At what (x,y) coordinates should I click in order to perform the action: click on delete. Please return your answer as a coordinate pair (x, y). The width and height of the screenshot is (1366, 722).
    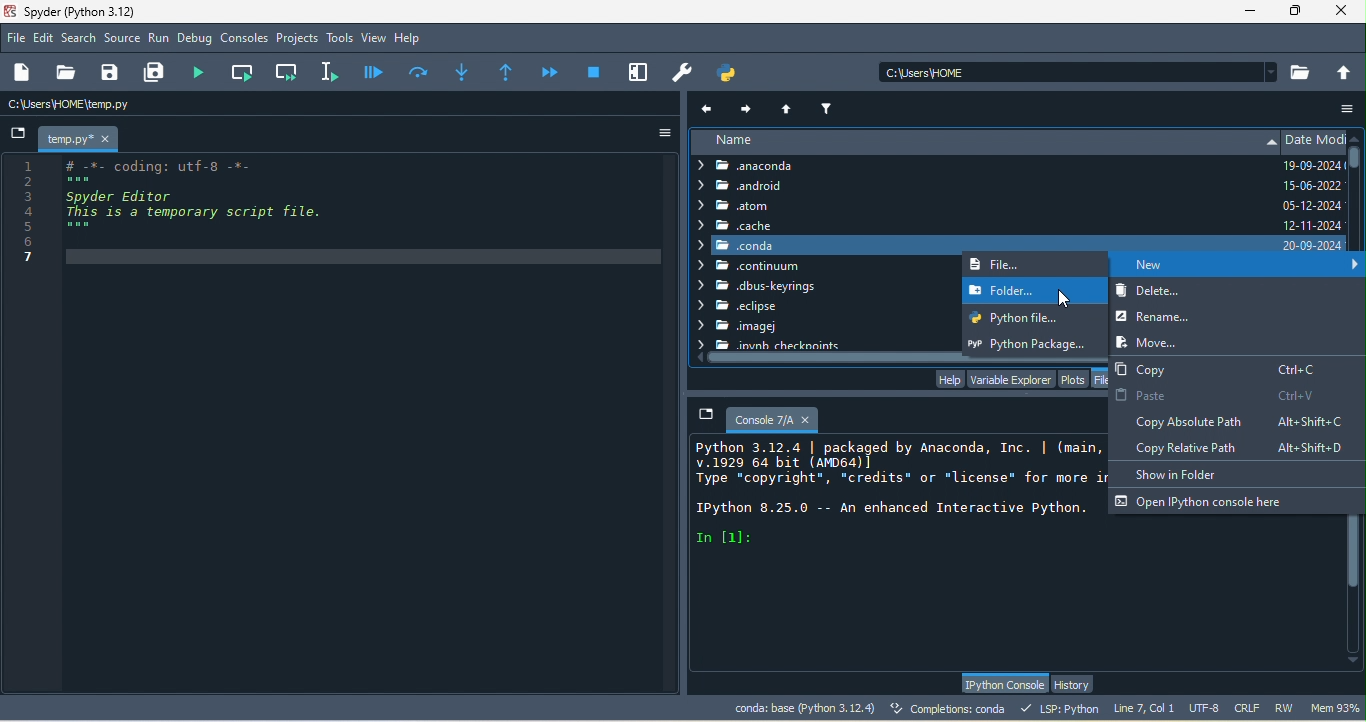
    Looking at the image, I should click on (1235, 293).